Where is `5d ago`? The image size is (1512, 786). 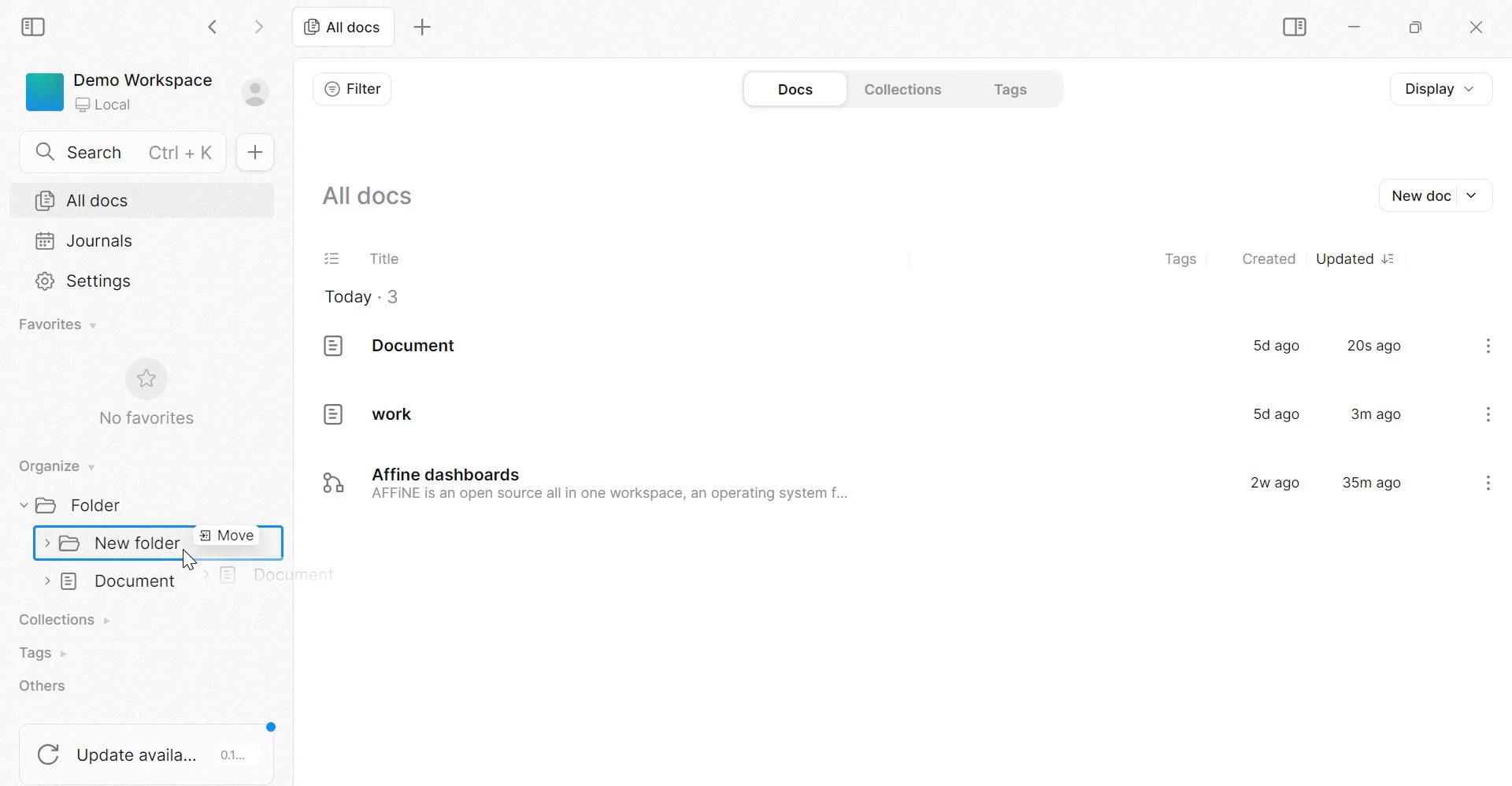 5d ago is located at coordinates (1277, 344).